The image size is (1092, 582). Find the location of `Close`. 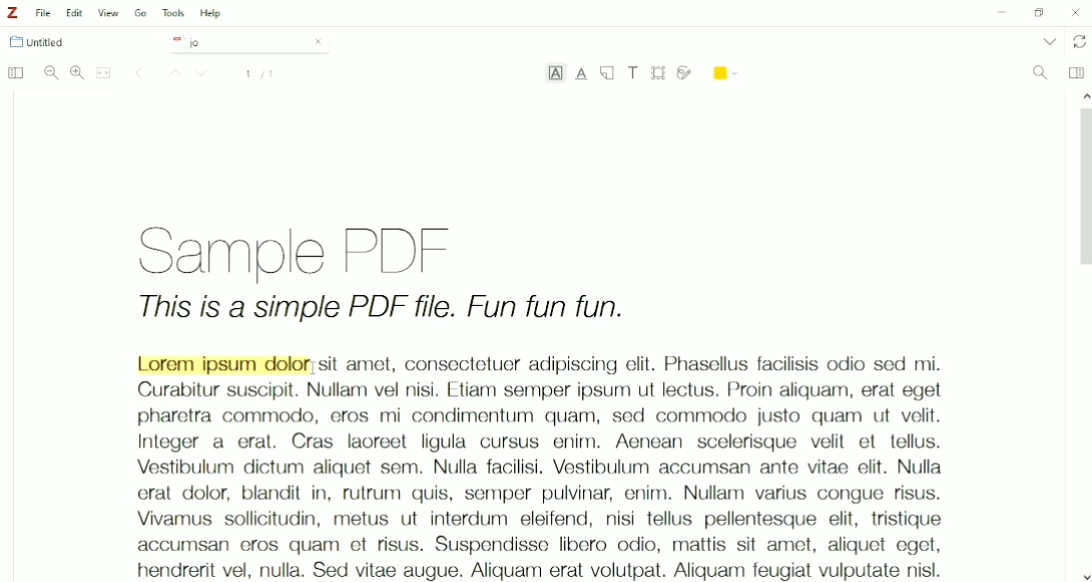

Close is located at coordinates (318, 41).